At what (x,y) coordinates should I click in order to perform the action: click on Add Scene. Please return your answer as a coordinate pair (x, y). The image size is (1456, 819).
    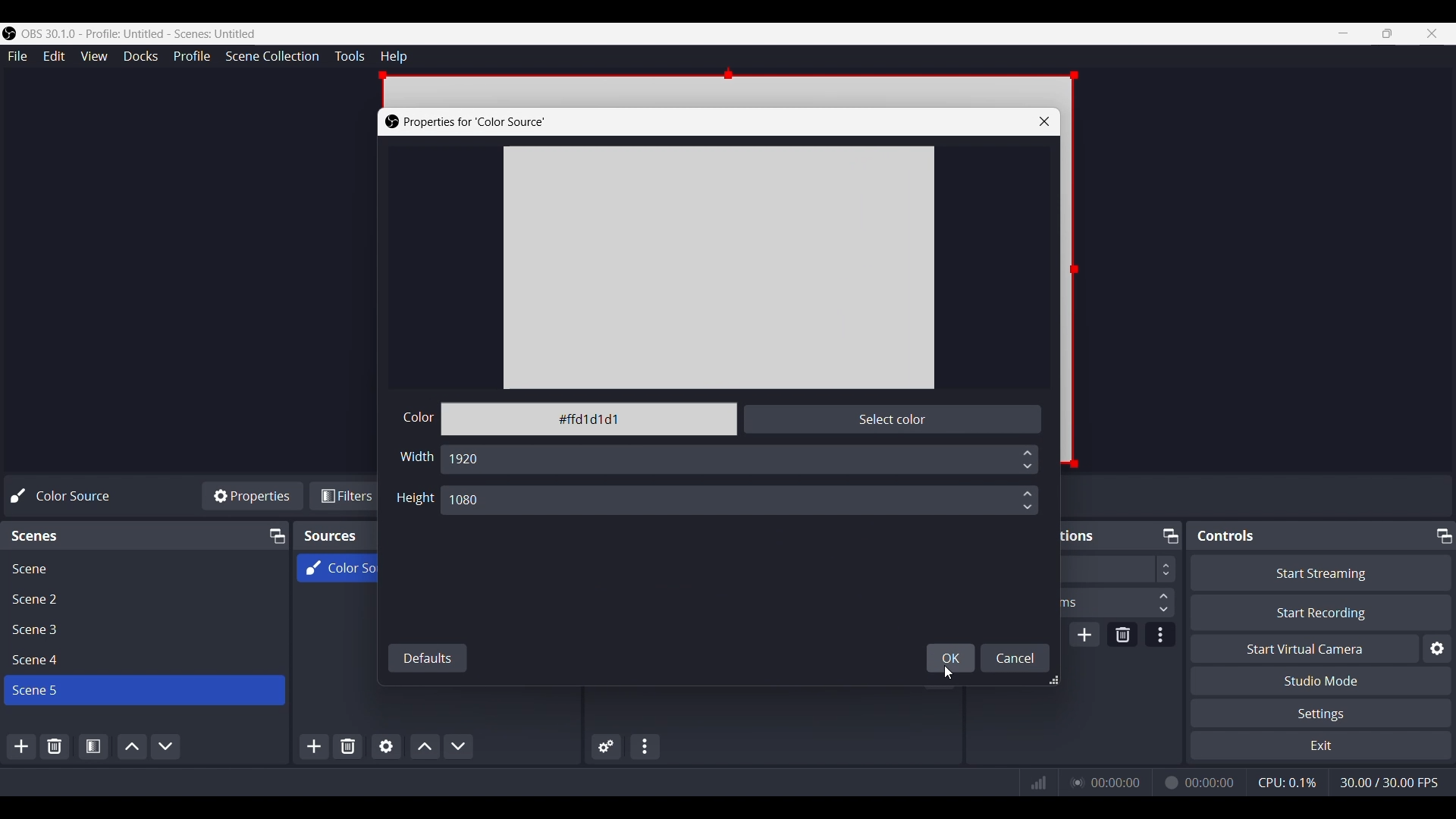
    Looking at the image, I should click on (21, 746).